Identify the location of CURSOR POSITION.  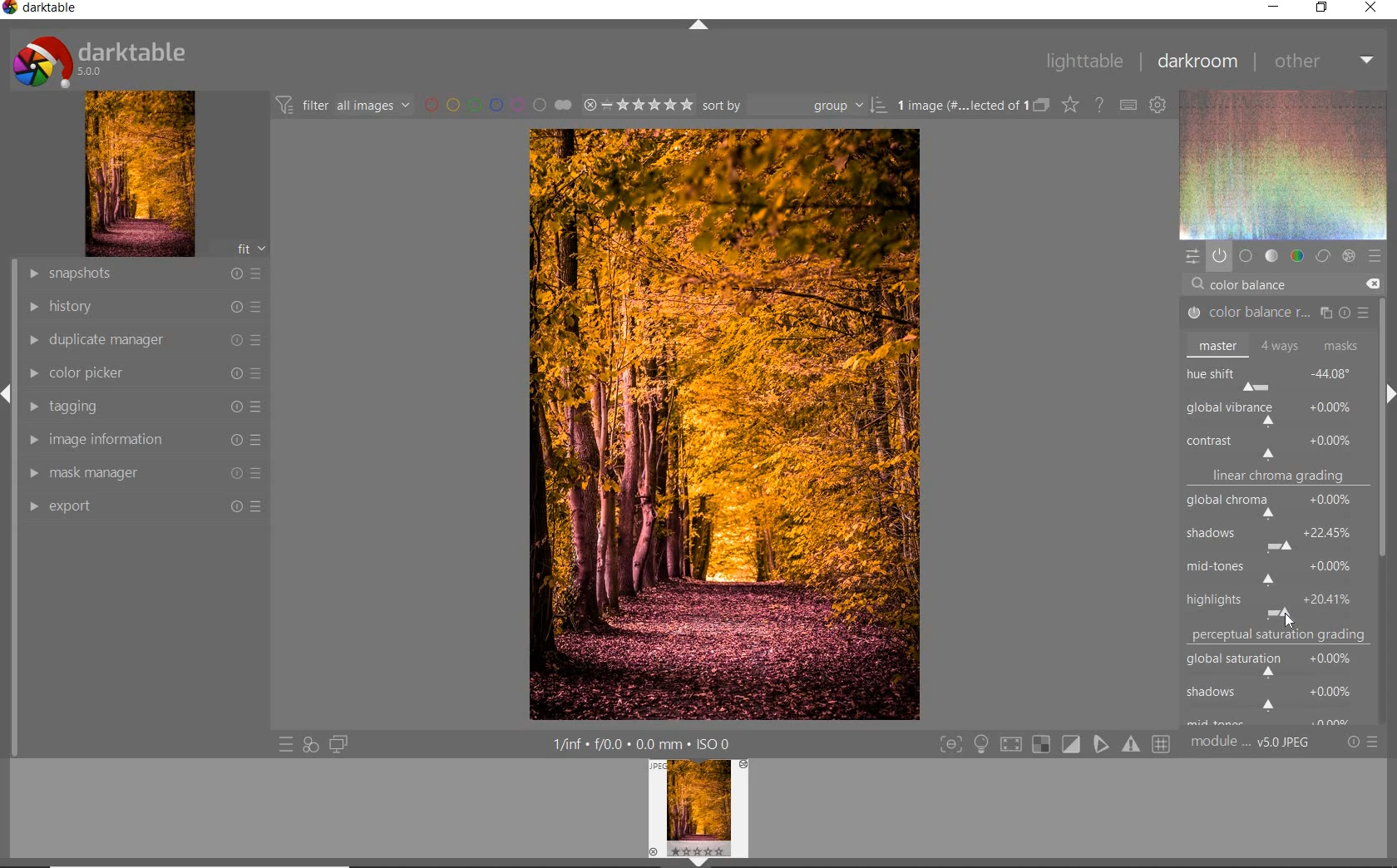
(1284, 615).